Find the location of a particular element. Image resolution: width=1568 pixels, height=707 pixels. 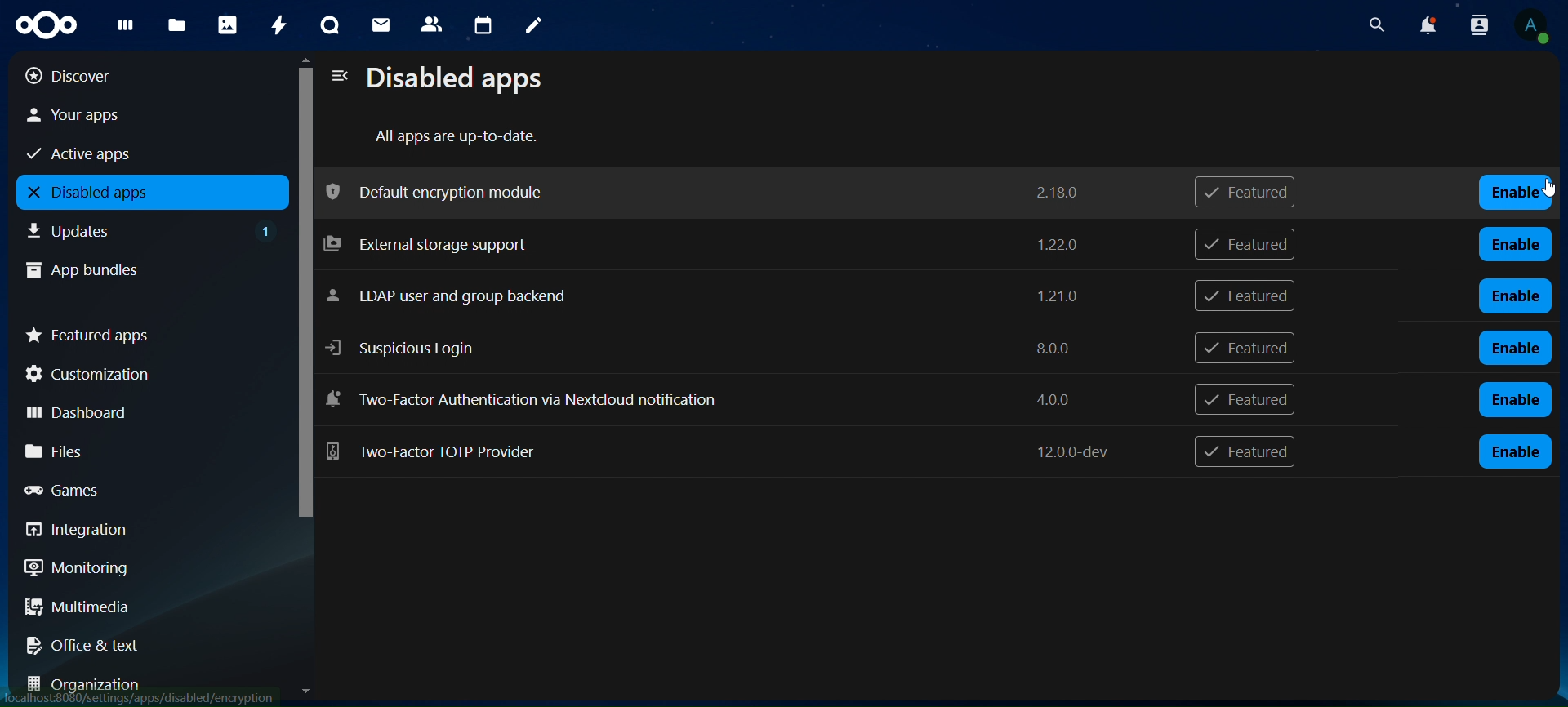

default encryption module is located at coordinates (706, 191).